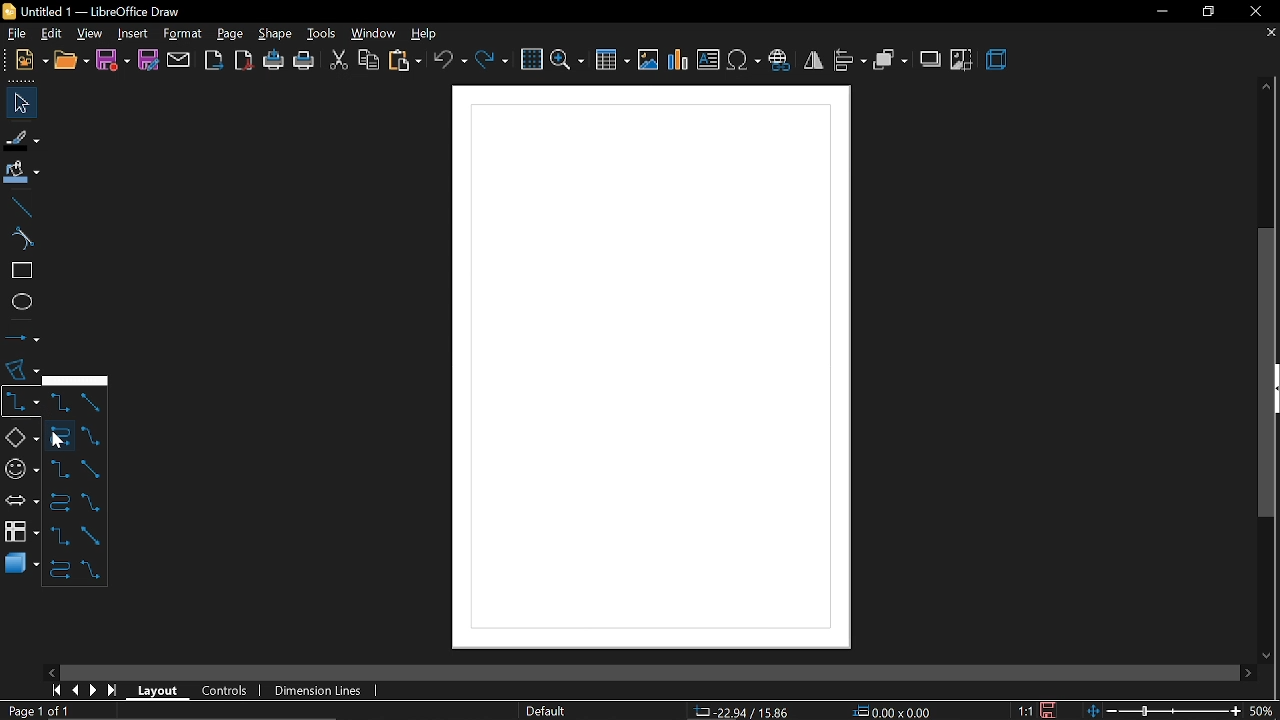 The image size is (1280, 720). Describe the element at coordinates (1206, 11) in the screenshot. I see `restore down` at that location.